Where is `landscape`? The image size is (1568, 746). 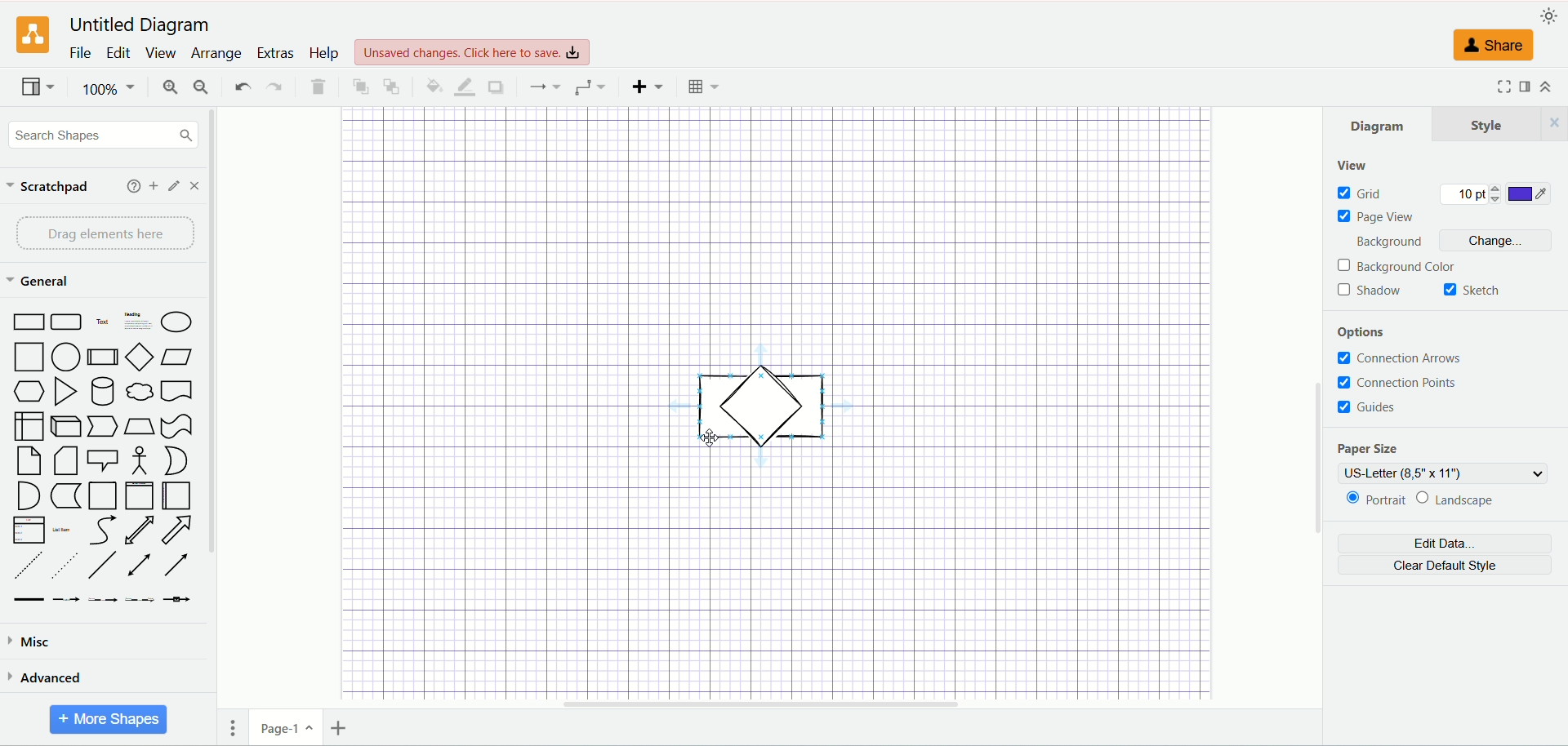
landscape is located at coordinates (1454, 500).